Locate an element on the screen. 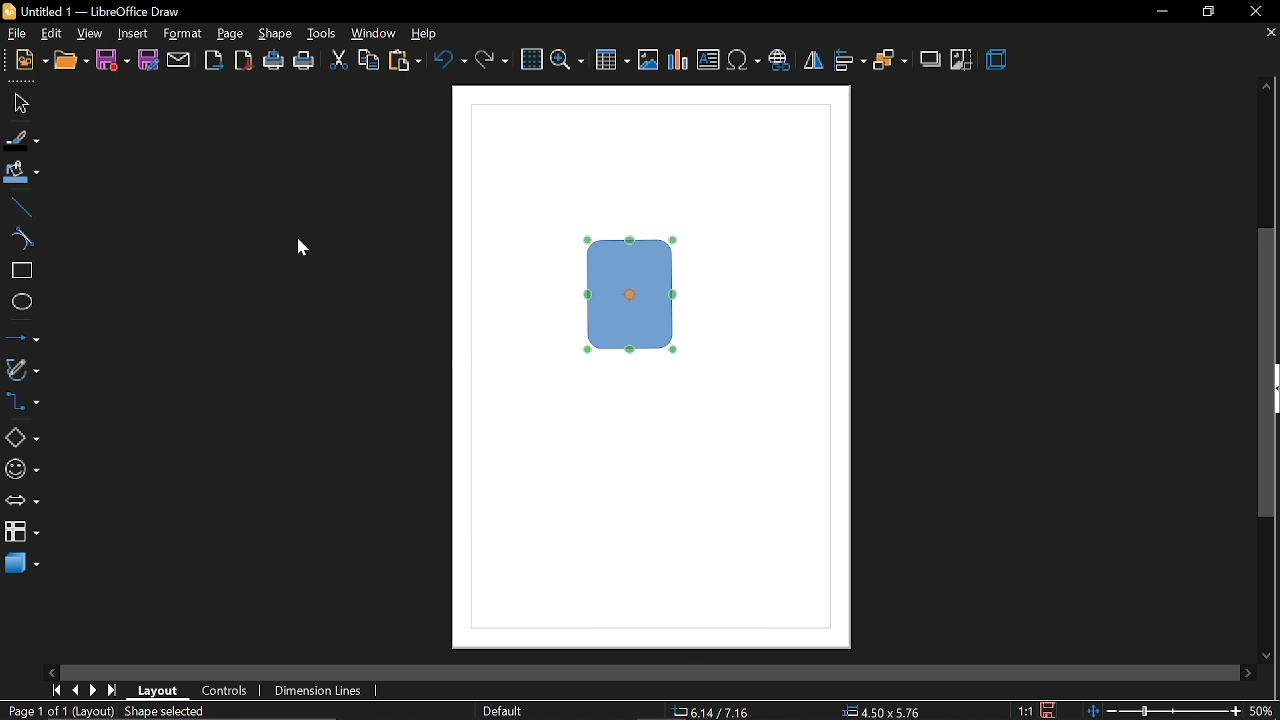 The height and width of the screenshot is (720, 1280). file is located at coordinates (19, 34).